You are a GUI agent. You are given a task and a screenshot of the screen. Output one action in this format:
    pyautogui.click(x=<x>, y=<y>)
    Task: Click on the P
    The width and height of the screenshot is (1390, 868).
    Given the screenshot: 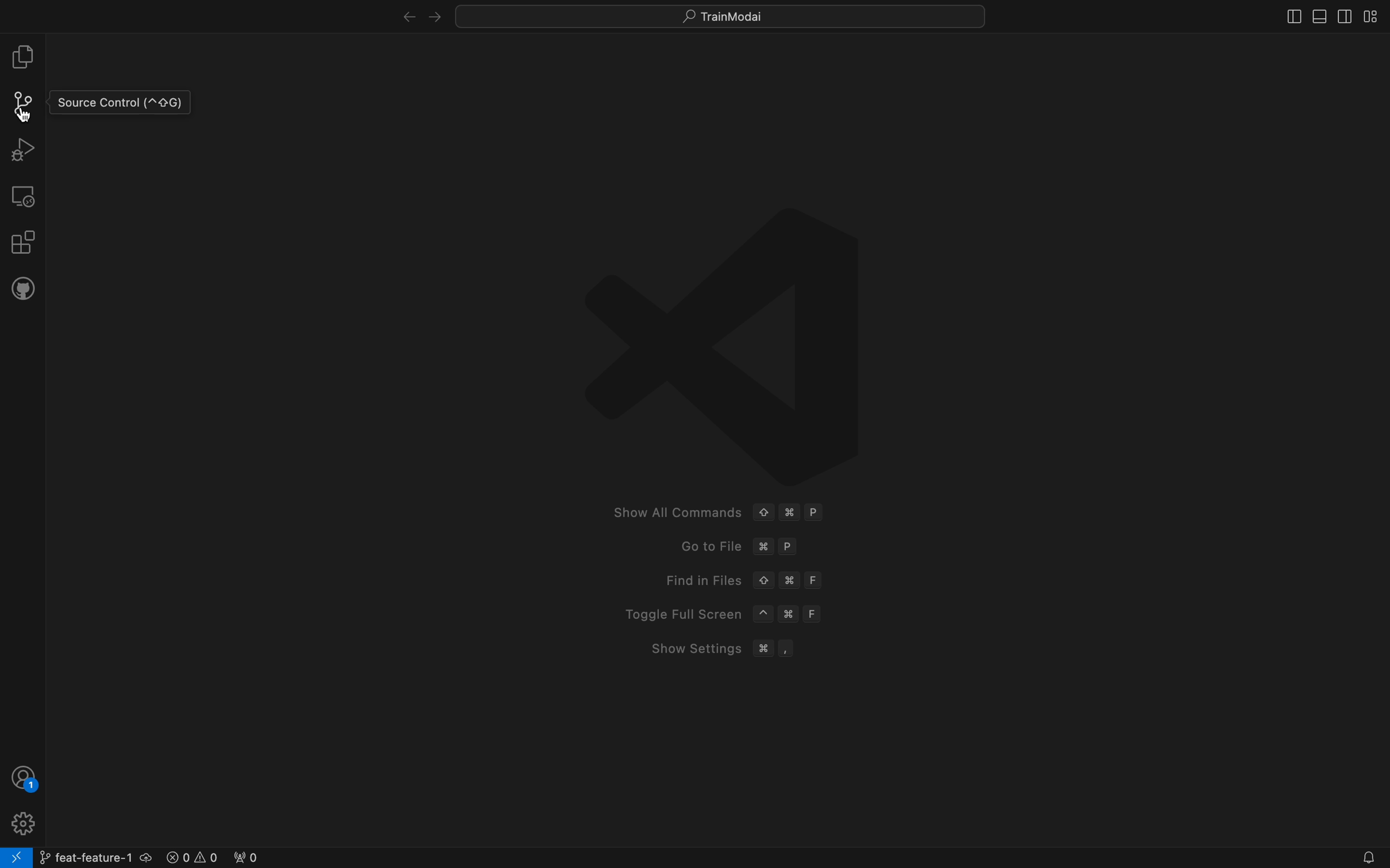 What is the action you would take?
    pyautogui.click(x=789, y=547)
    